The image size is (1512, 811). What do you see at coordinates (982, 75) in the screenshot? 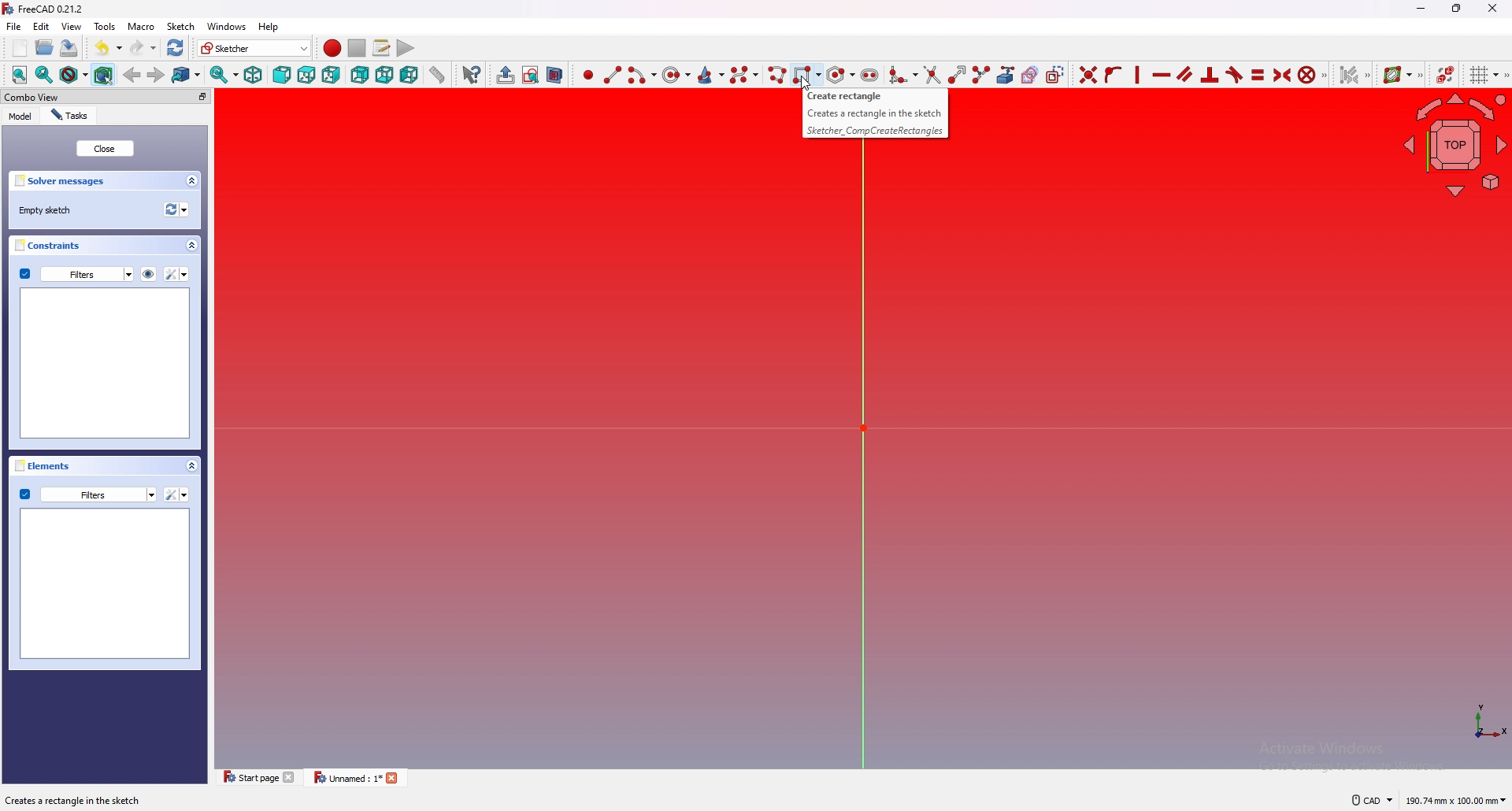
I see `split edge` at bounding box center [982, 75].